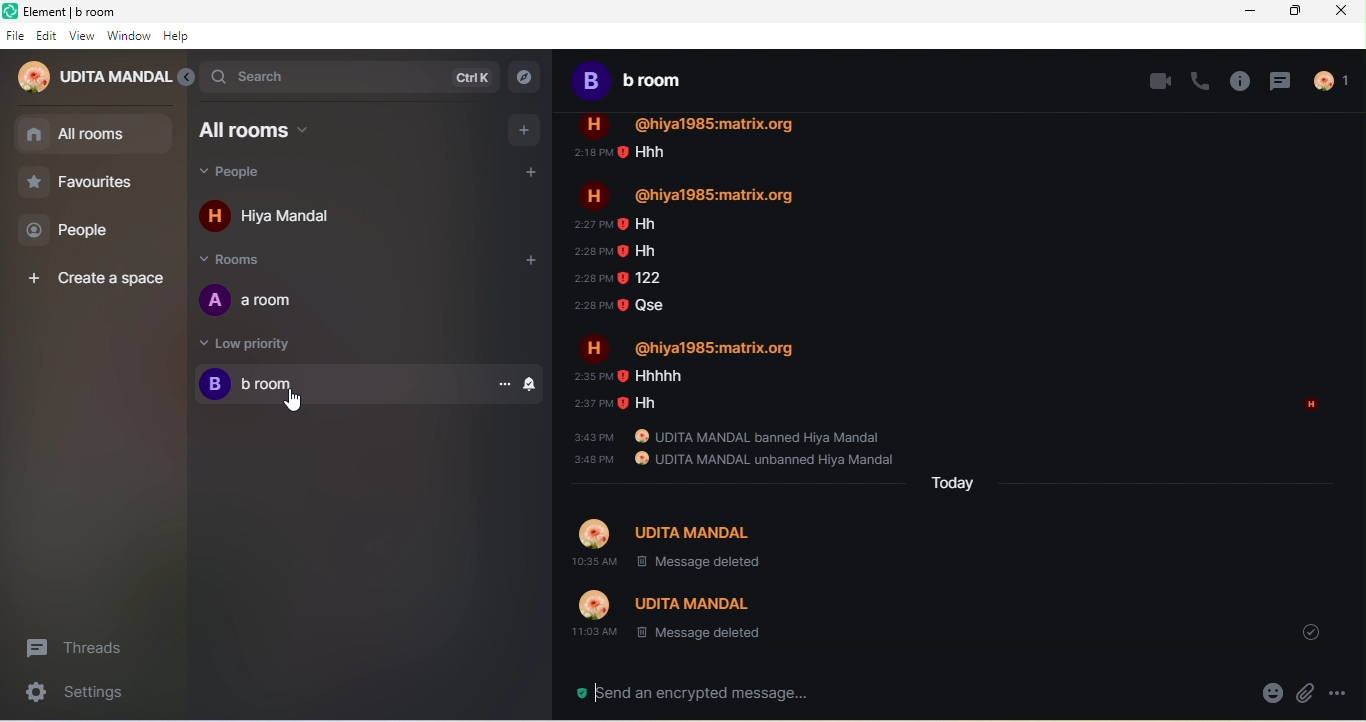 The image size is (1366, 722). I want to click on add room, so click(536, 266).